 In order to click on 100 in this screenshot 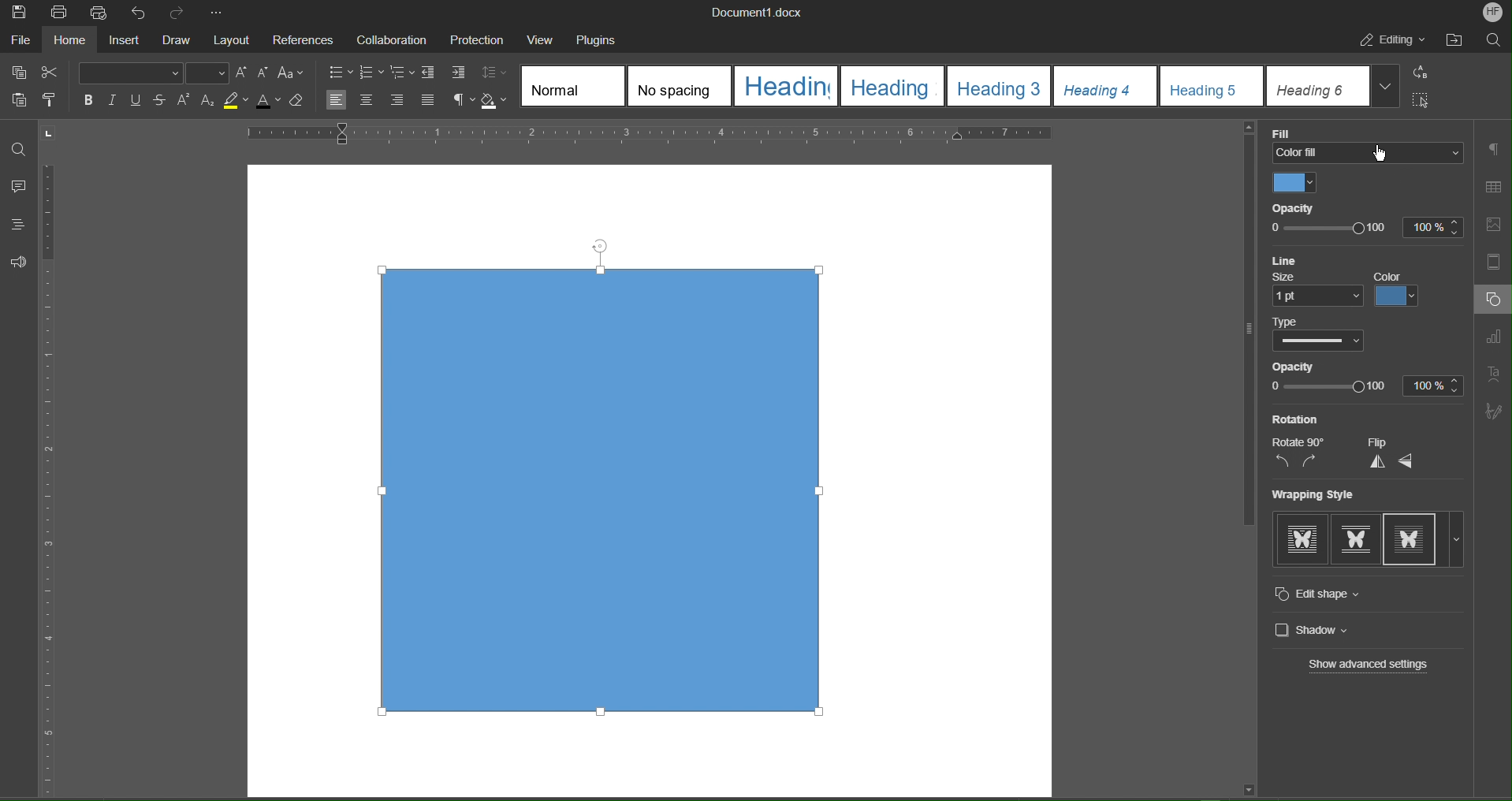, I will do `click(1382, 232)`.